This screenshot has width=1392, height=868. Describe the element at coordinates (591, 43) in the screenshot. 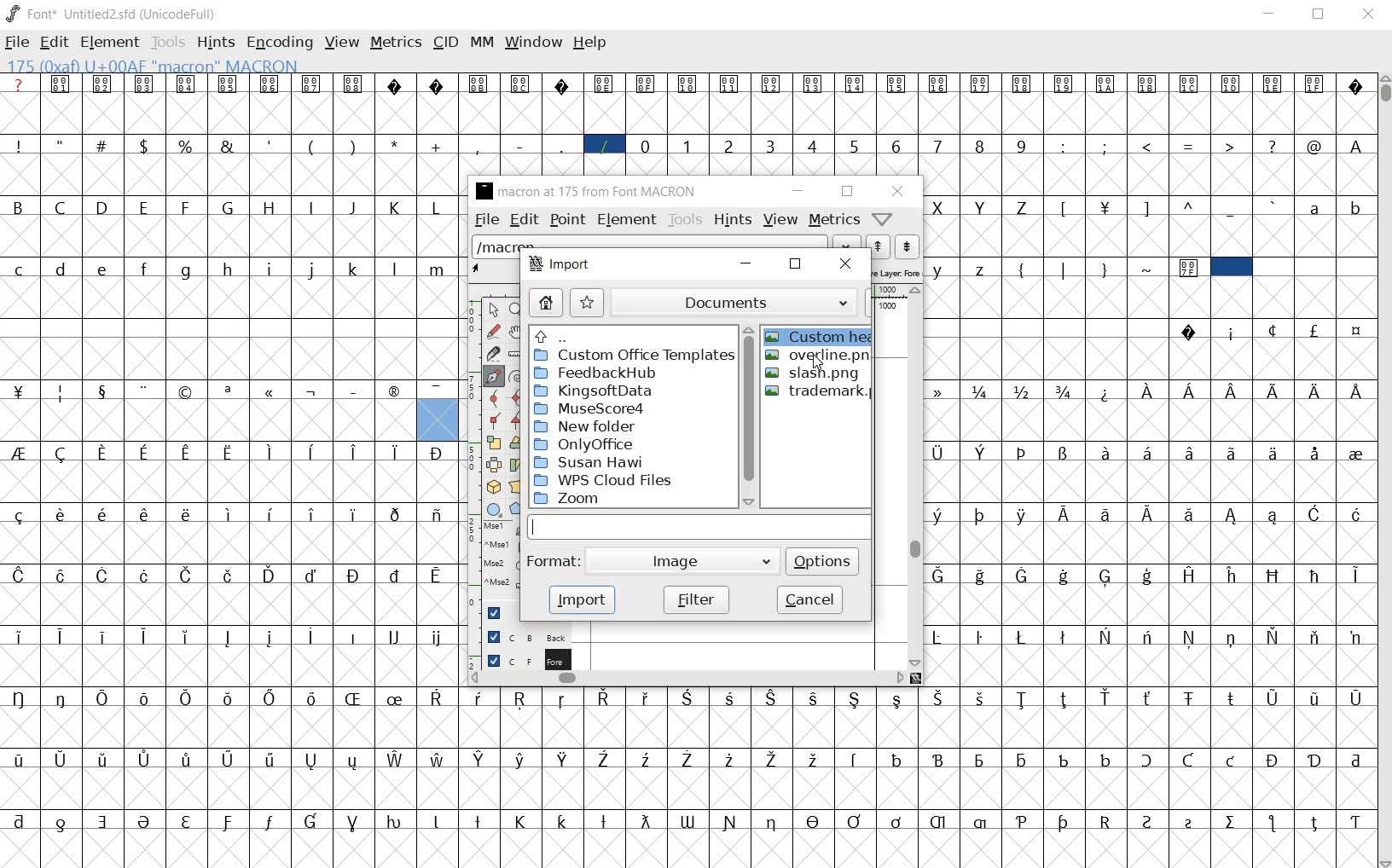

I see `Help` at that location.